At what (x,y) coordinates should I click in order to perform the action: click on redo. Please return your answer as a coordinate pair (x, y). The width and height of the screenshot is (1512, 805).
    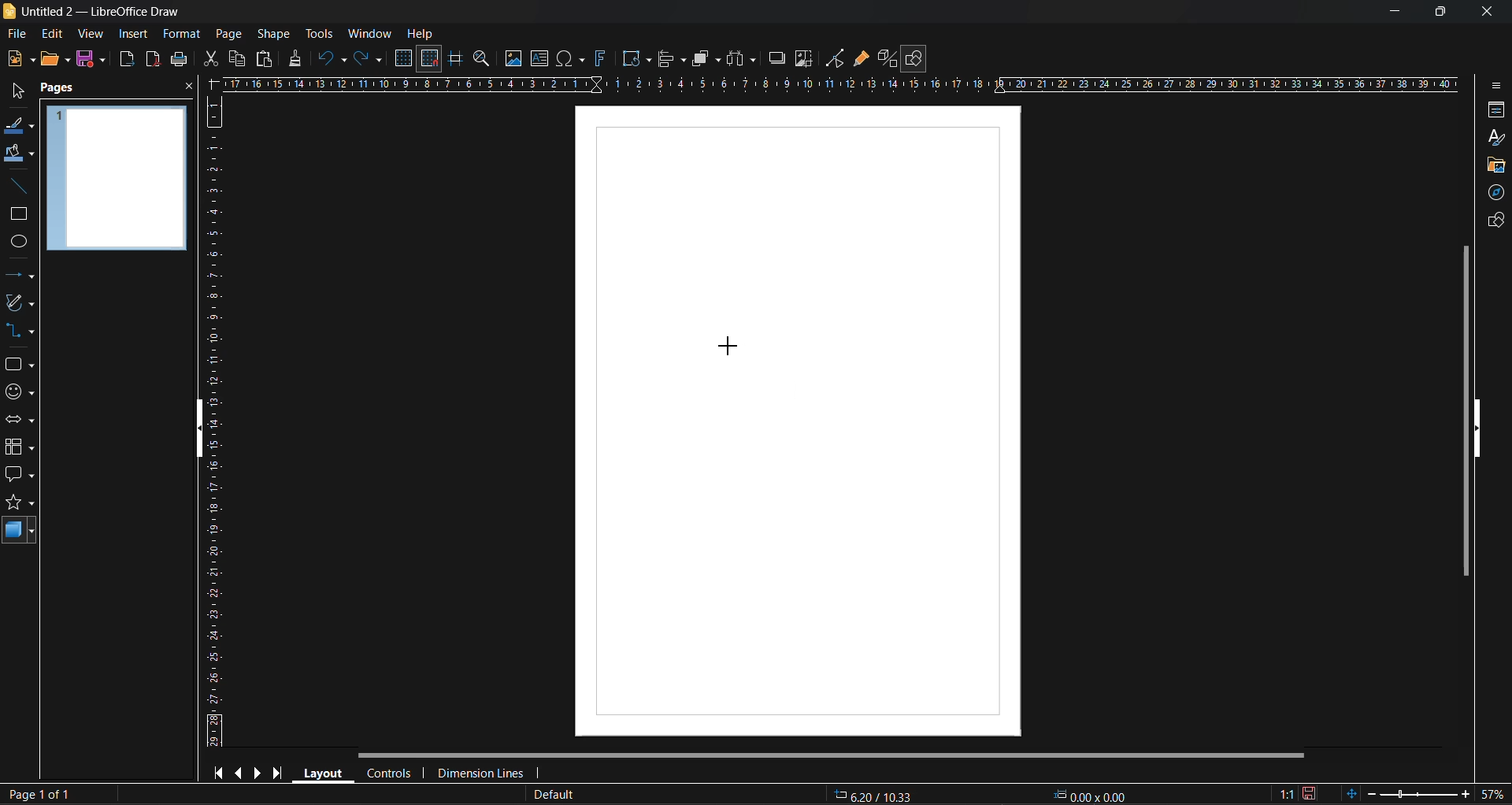
    Looking at the image, I should click on (366, 61).